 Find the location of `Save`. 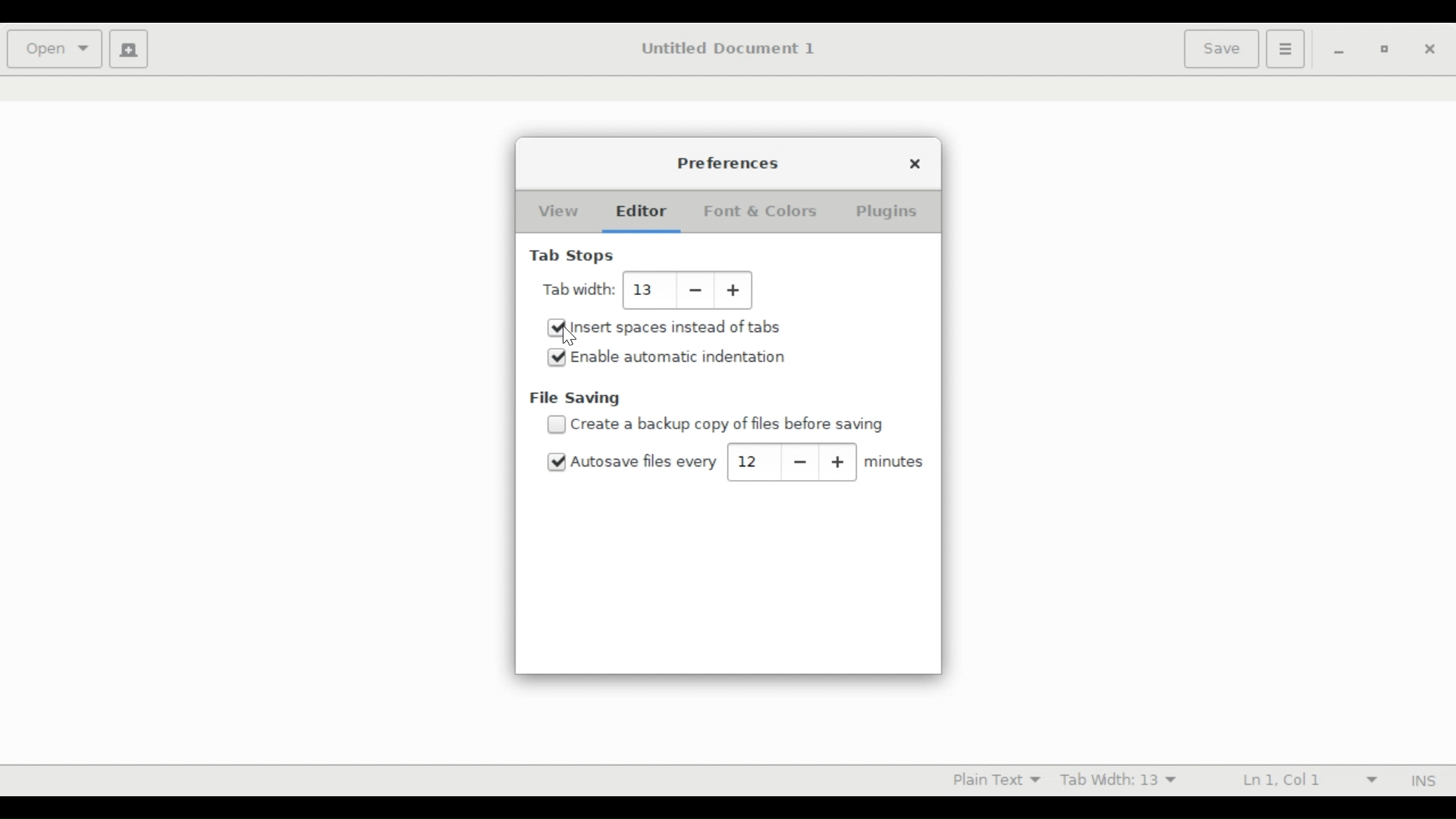

Save is located at coordinates (1221, 49).